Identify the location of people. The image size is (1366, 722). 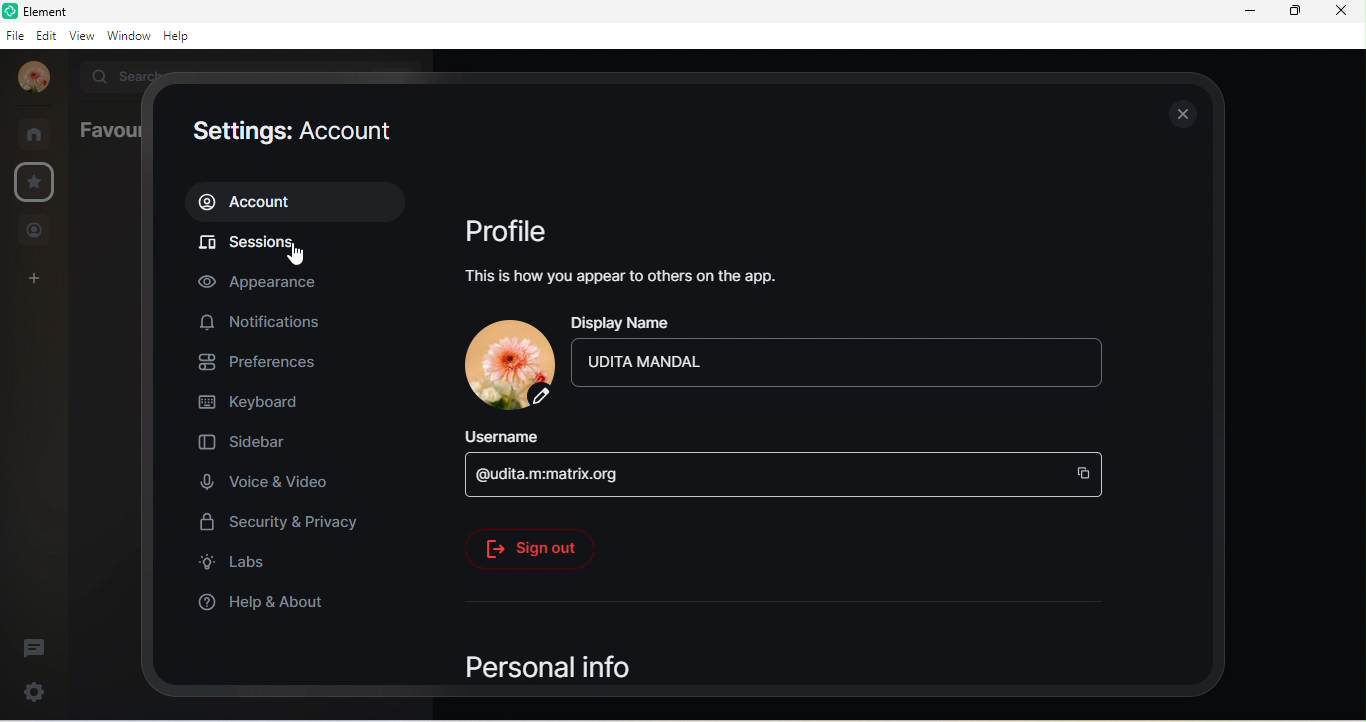
(35, 232).